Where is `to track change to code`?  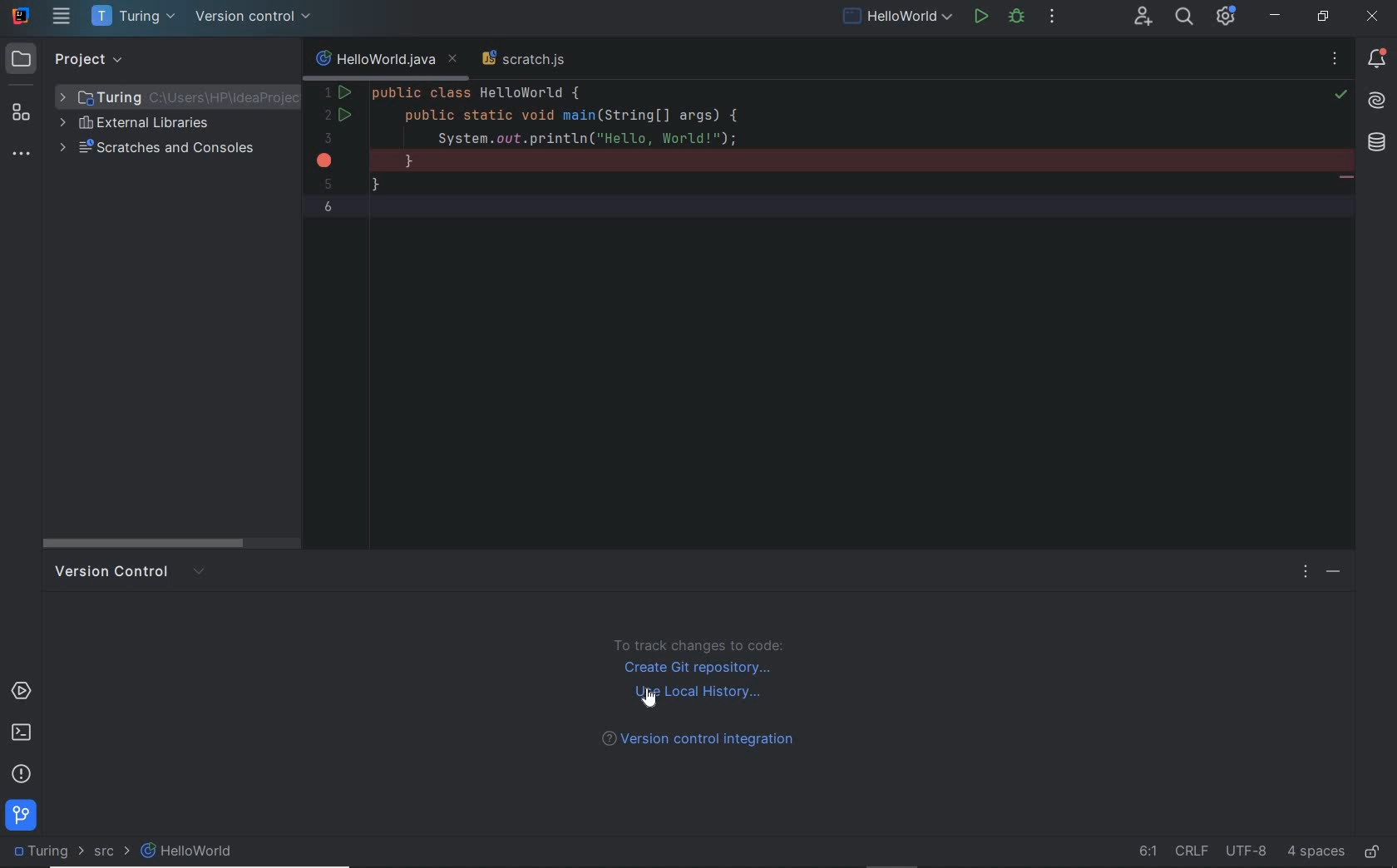
to track change to code is located at coordinates (703, 647).